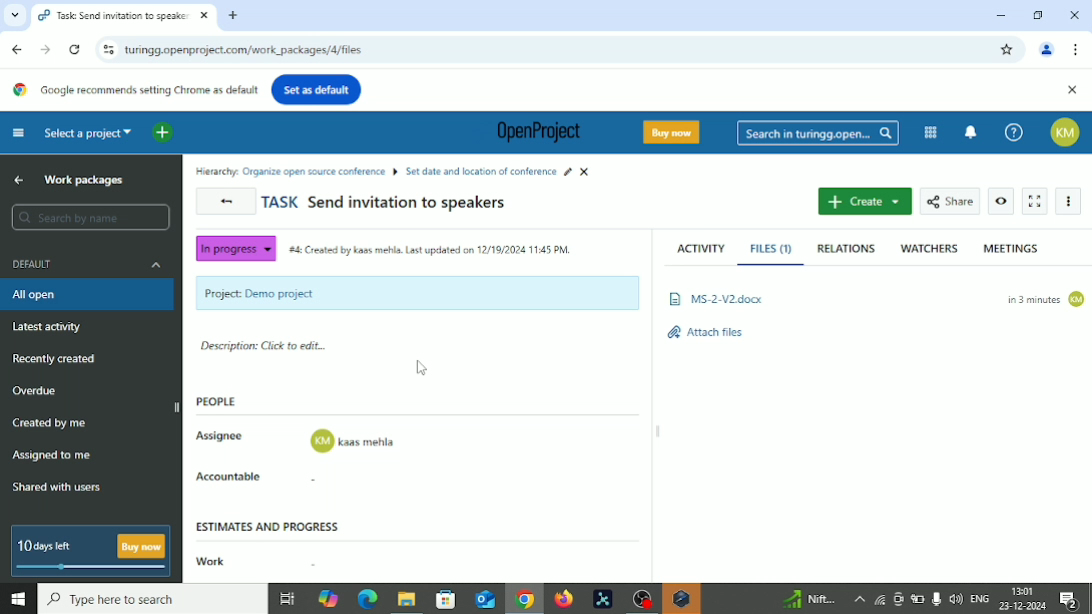 This screenshot has height=614, width=1092. Describe the element at coordinates (266, 348) in the screenshot. I see `Description` at that location.